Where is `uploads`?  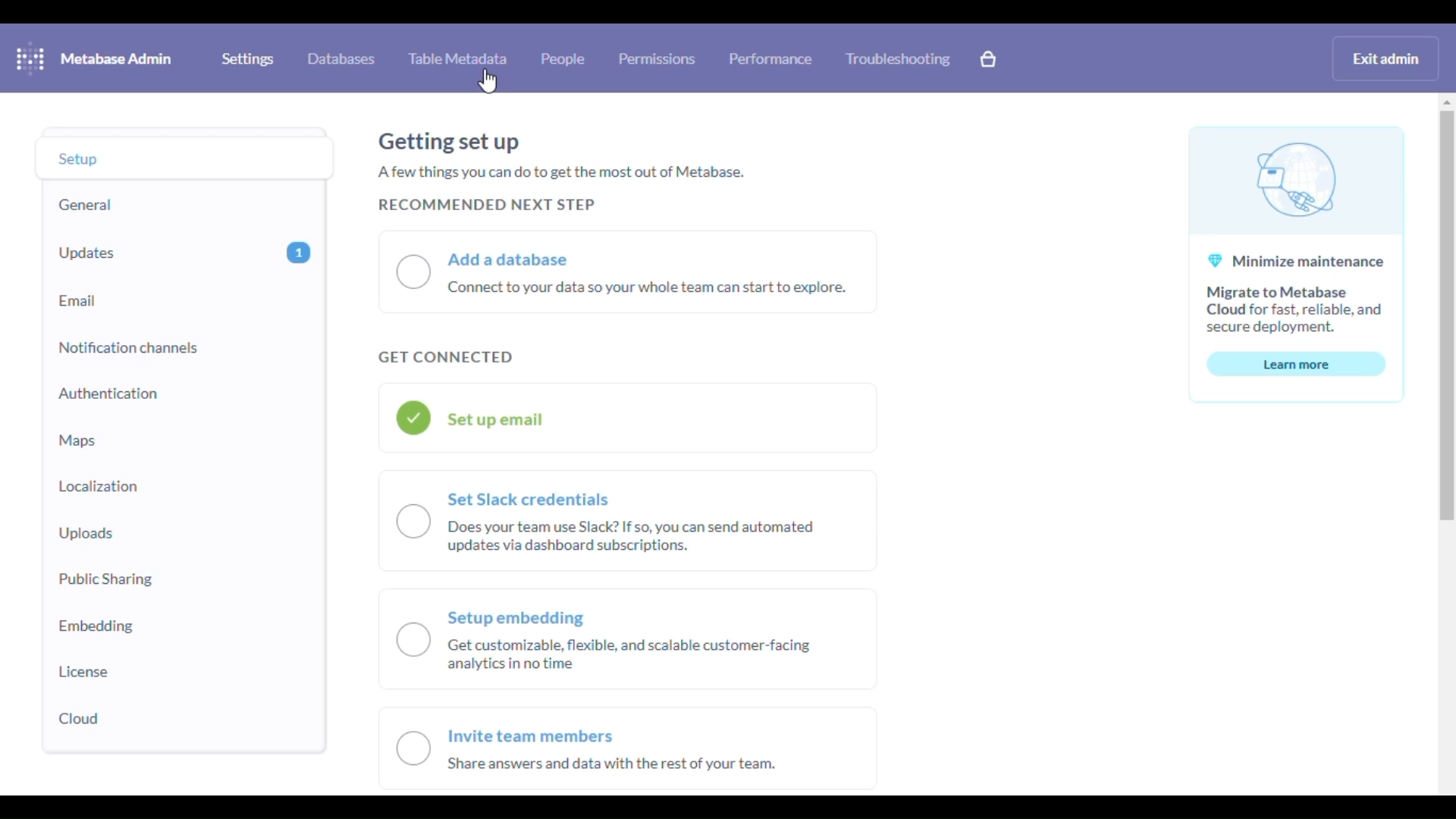
uploads is located at coordinates (86, 534).